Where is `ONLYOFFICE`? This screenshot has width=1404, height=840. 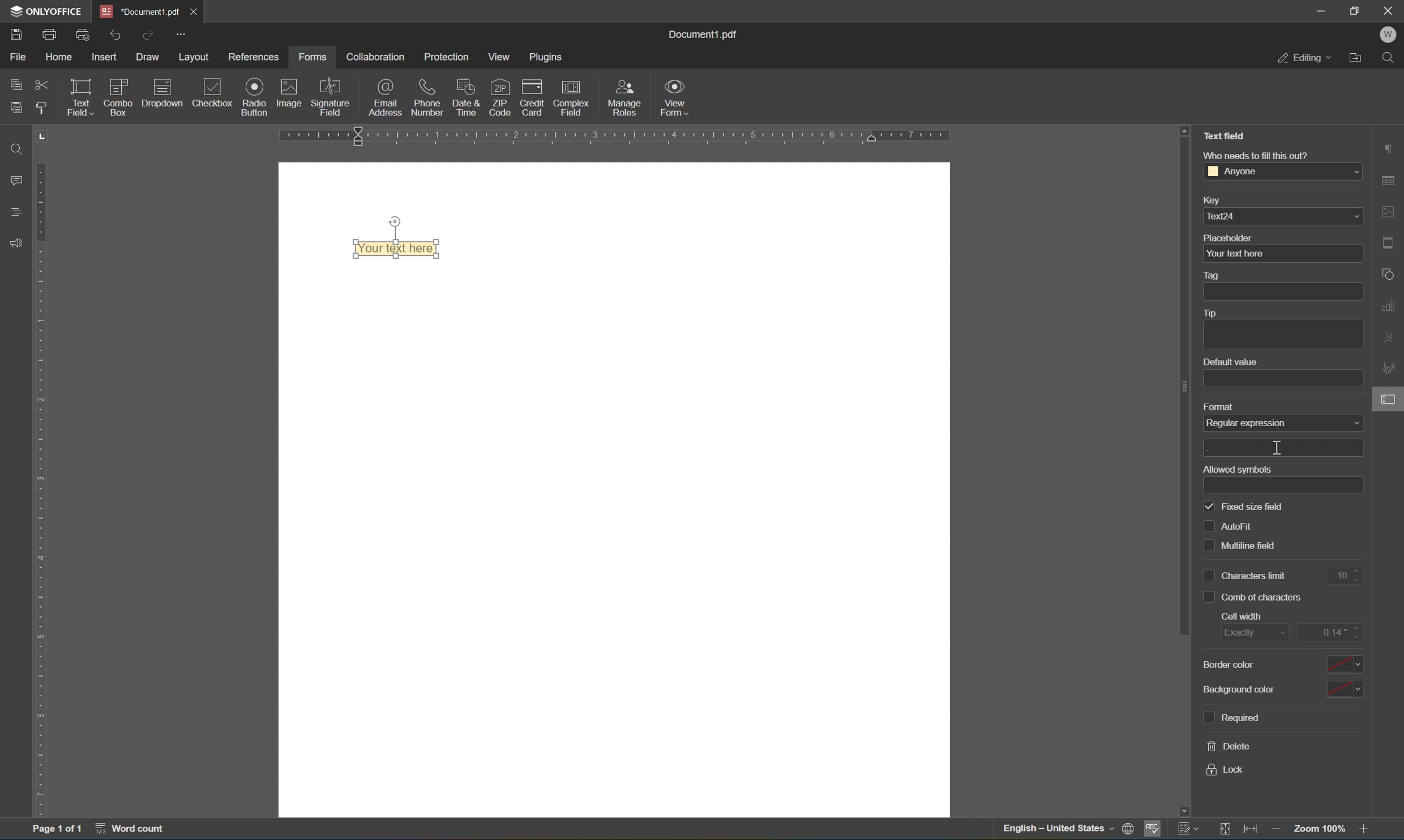
ONLYOFFICE is located at coordinates (46, 11).